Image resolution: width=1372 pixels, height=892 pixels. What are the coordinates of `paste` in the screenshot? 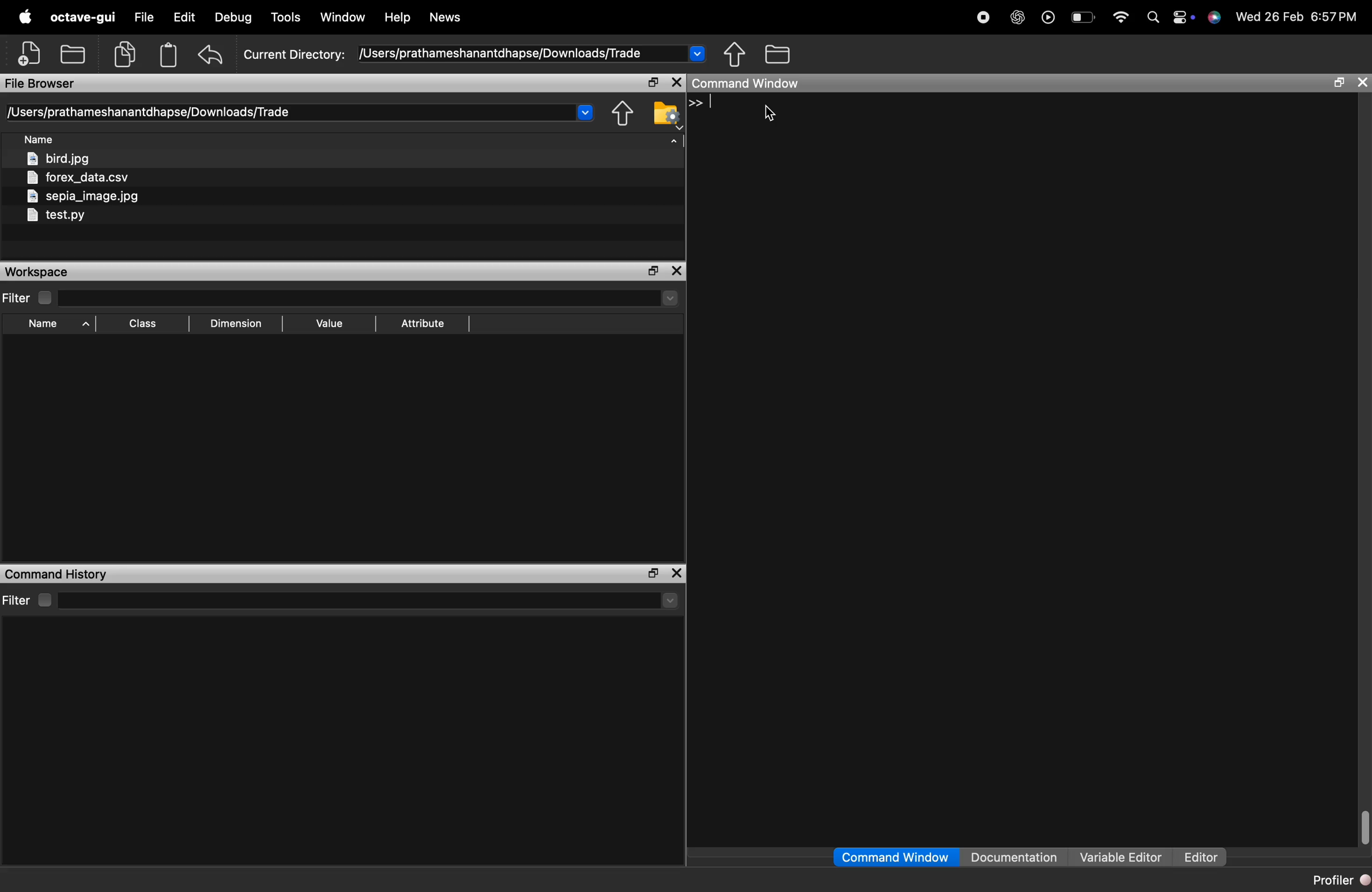 It's located at (168, 54).